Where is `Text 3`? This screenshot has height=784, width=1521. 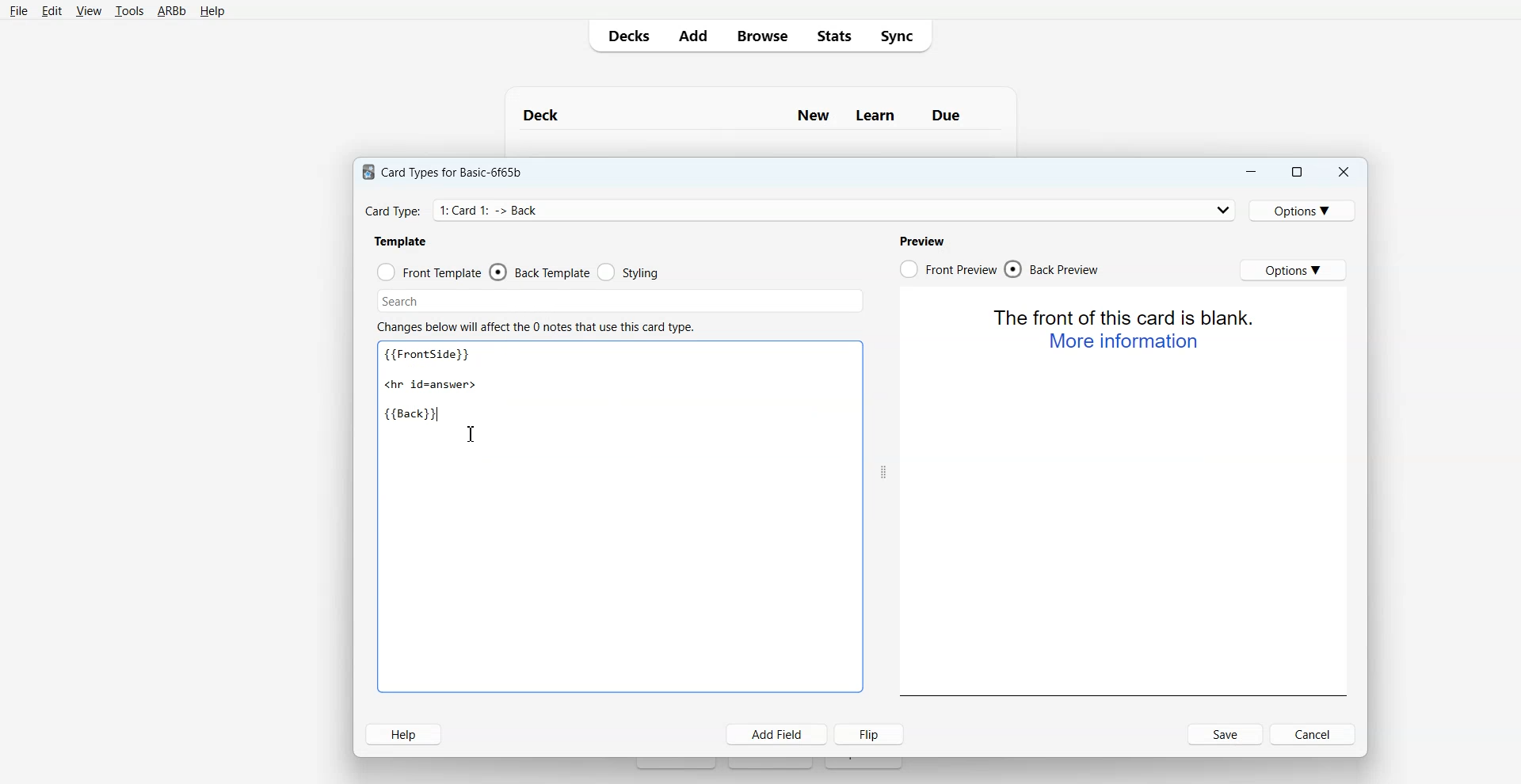 Text 3 is located at coordinates (537, 326).